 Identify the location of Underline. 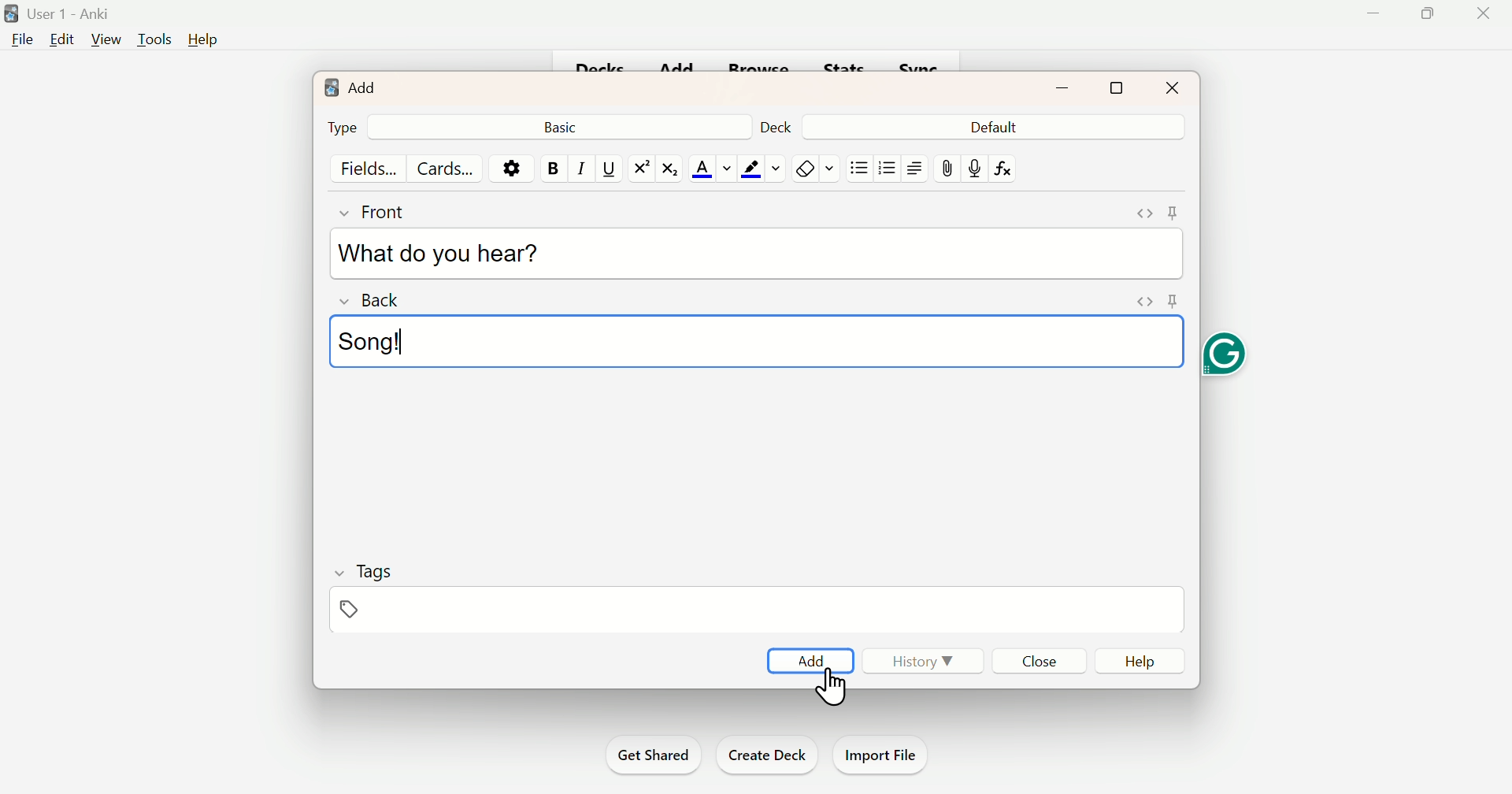
(607, 169).